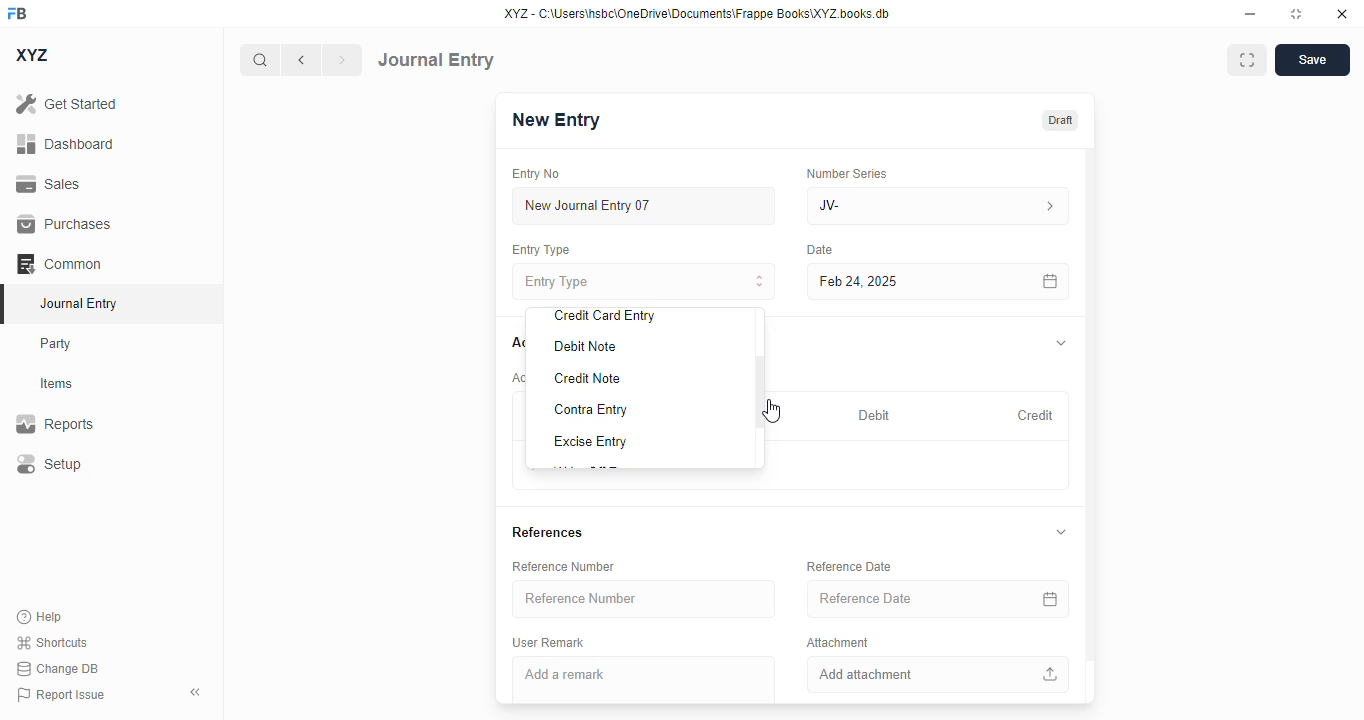 The height and width of the screenshot is (720, 1364). Describe the element at coordinates (301, 60) in the screenshot. I see `previous` at that location.